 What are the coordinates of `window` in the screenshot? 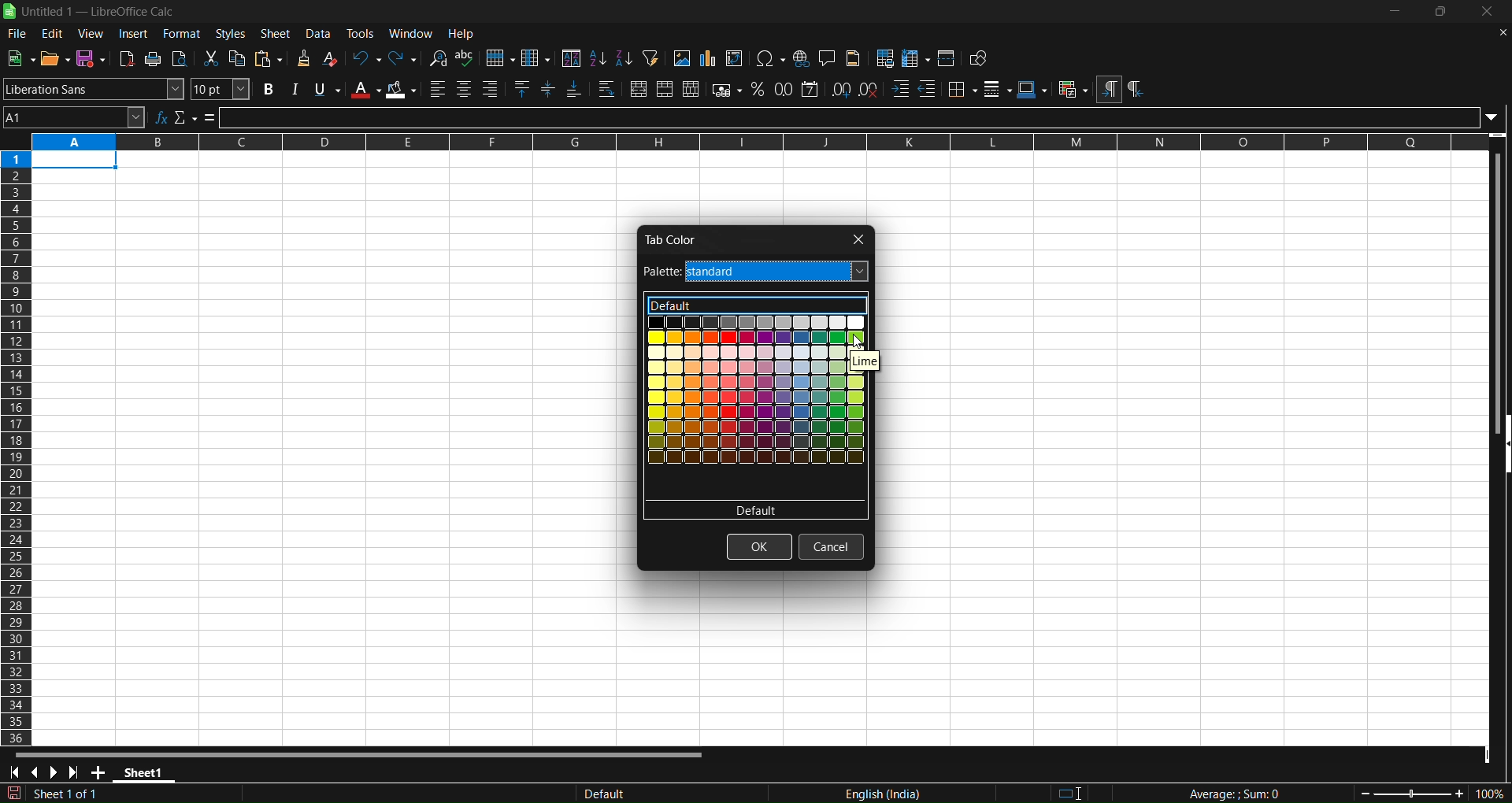 It's located at (414, 33).